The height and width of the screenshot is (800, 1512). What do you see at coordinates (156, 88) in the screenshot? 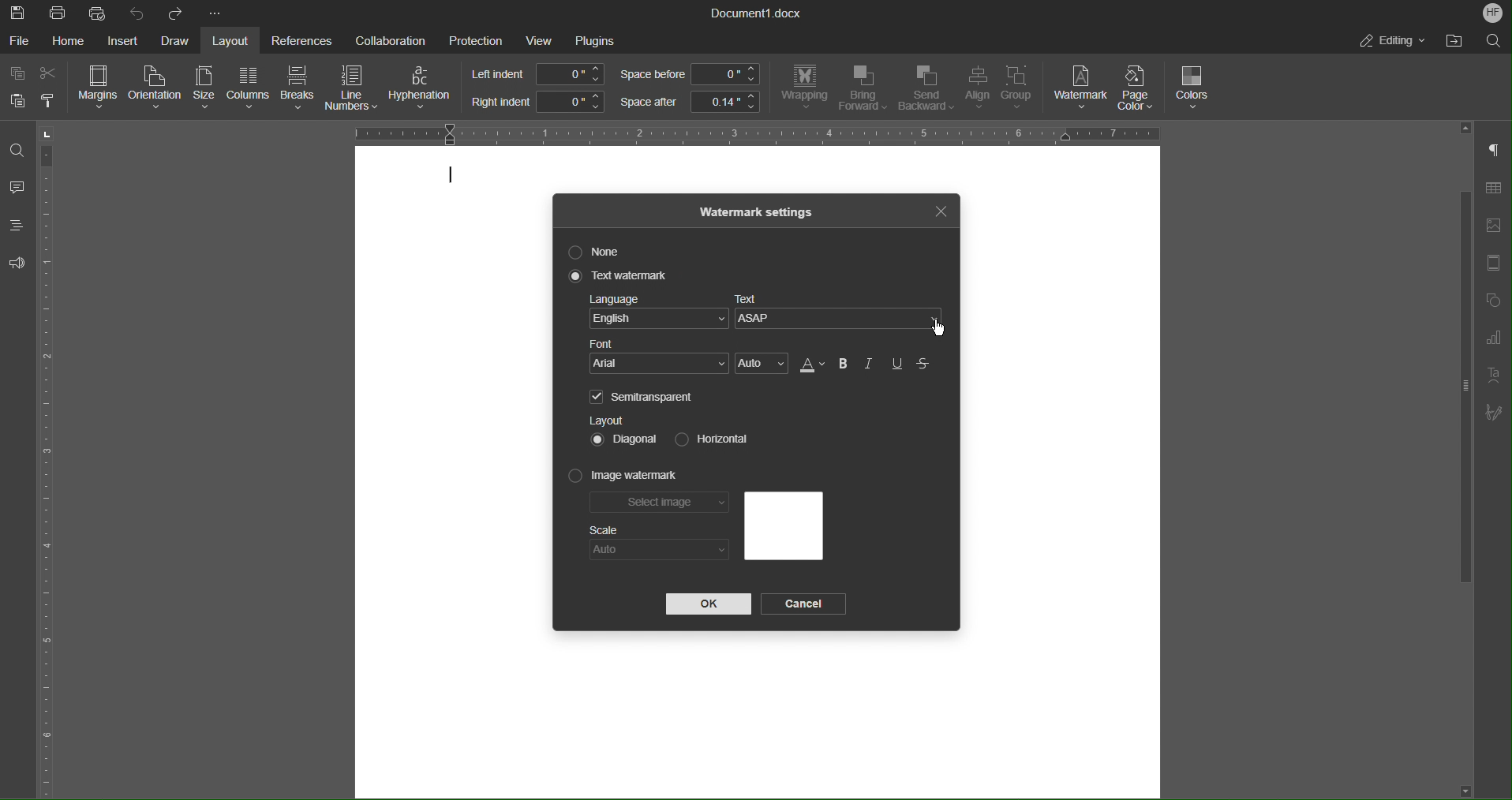
I see `Orientation` at bounding box center [156, 88].